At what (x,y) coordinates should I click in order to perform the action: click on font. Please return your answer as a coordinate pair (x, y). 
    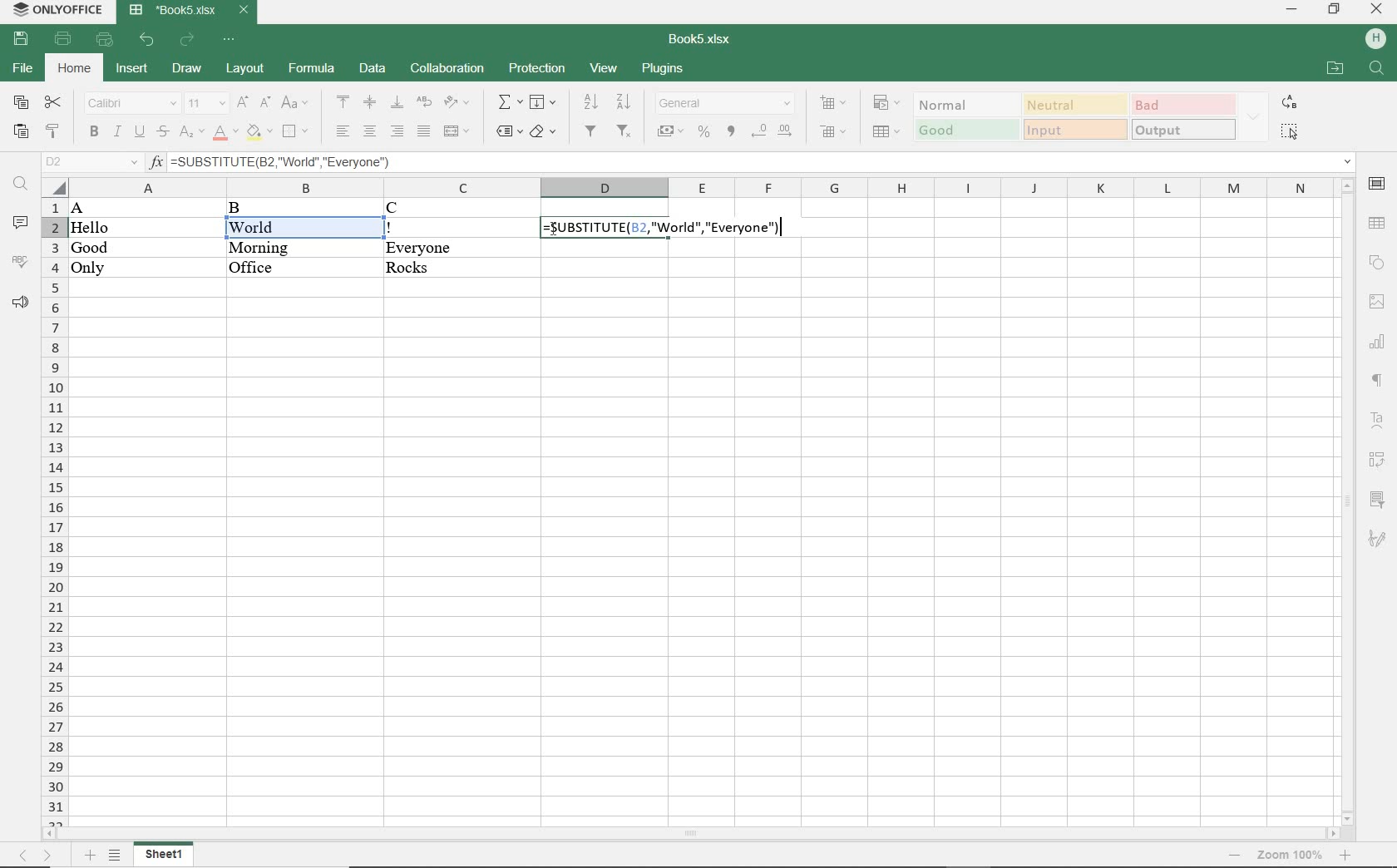
    Looking at the image, I should click on (130, 104).